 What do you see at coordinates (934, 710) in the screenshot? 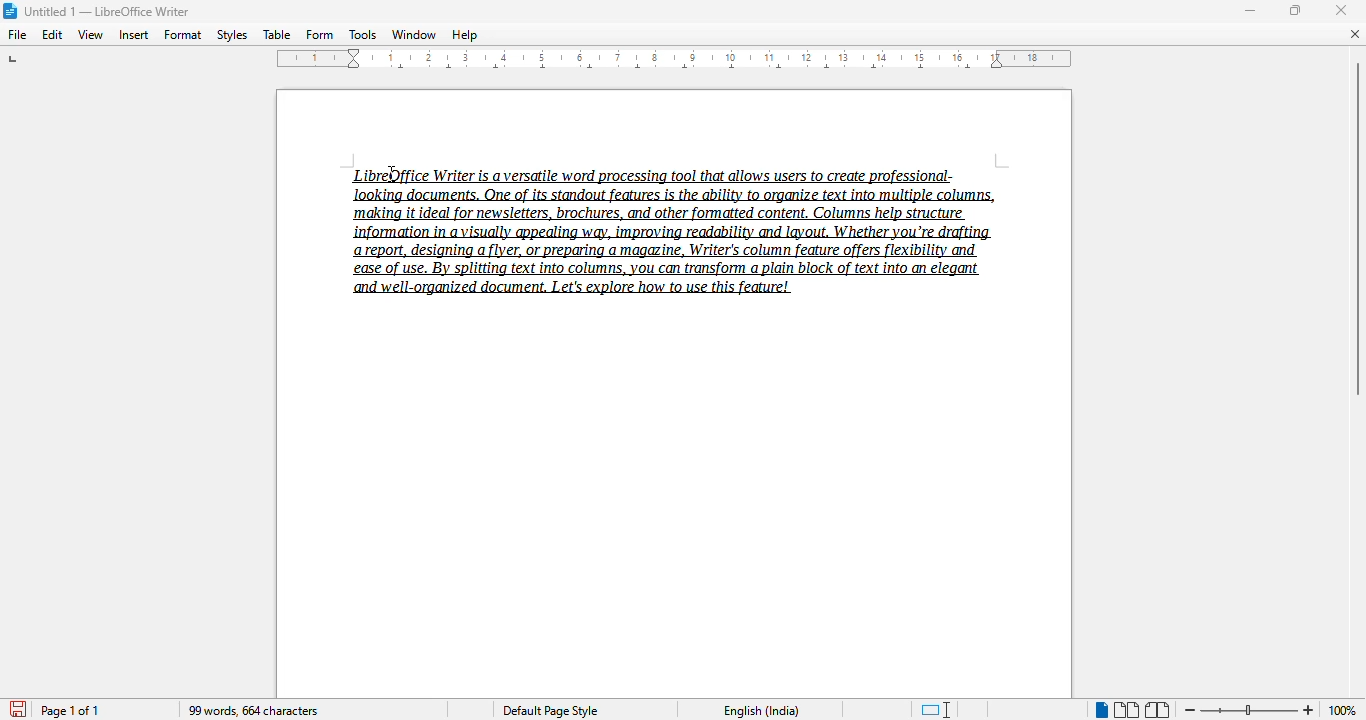
I see `standard selection` at bounding box center [934, 710].